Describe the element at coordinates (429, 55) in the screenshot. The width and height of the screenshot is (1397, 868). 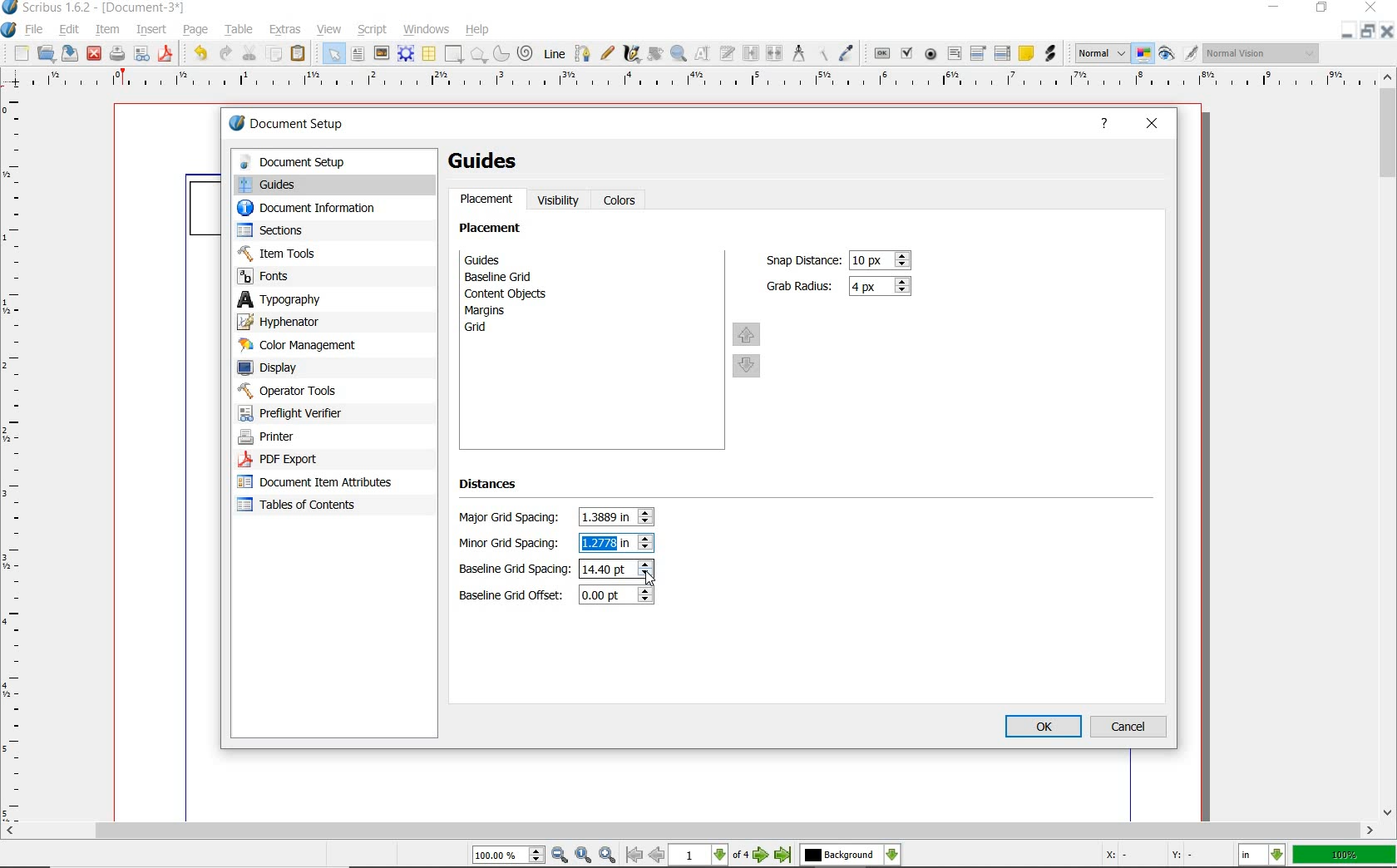
I see `table` at that location.